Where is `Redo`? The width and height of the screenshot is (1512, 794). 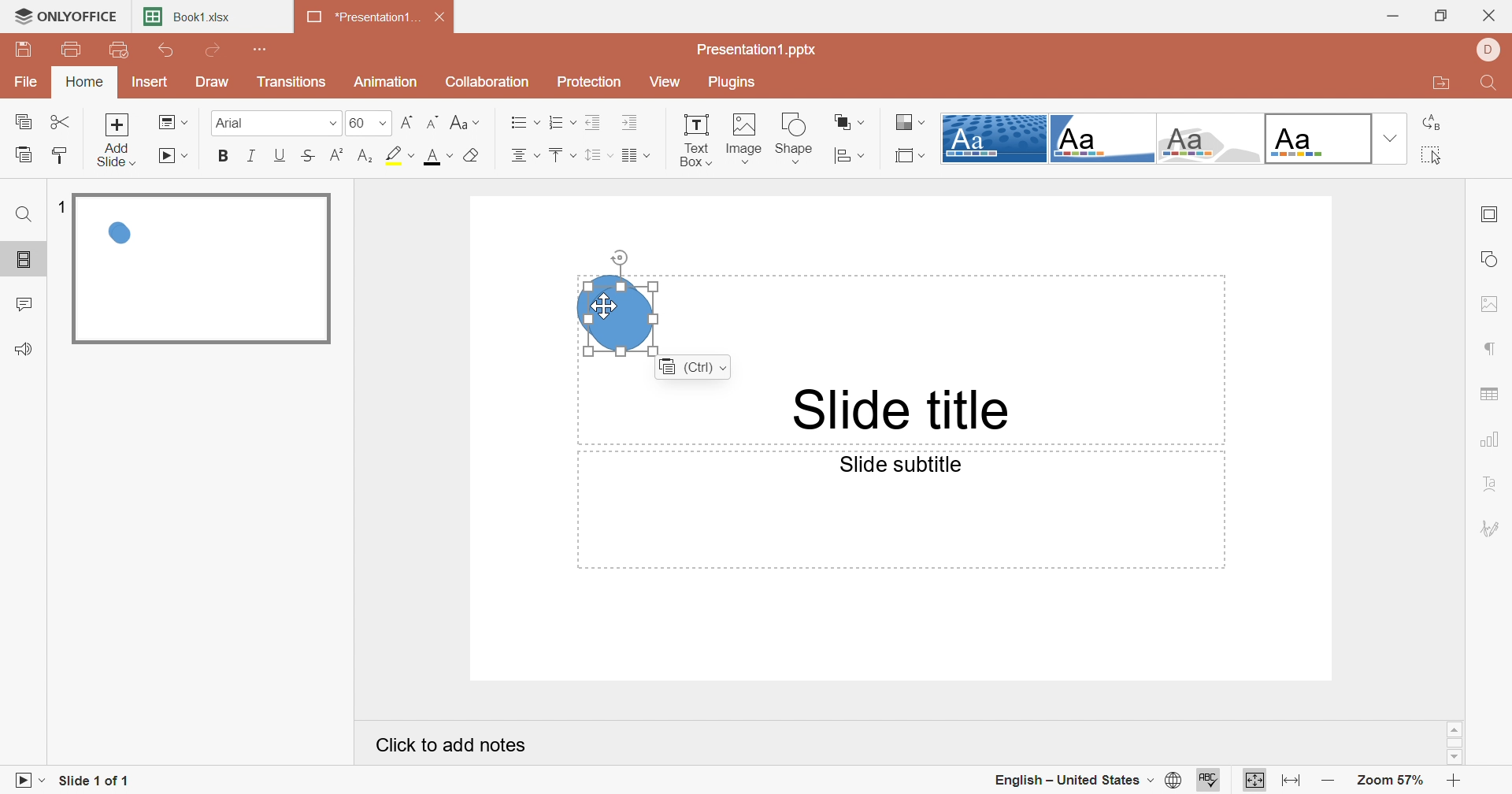 Redo is located at coordinates (215, 50).